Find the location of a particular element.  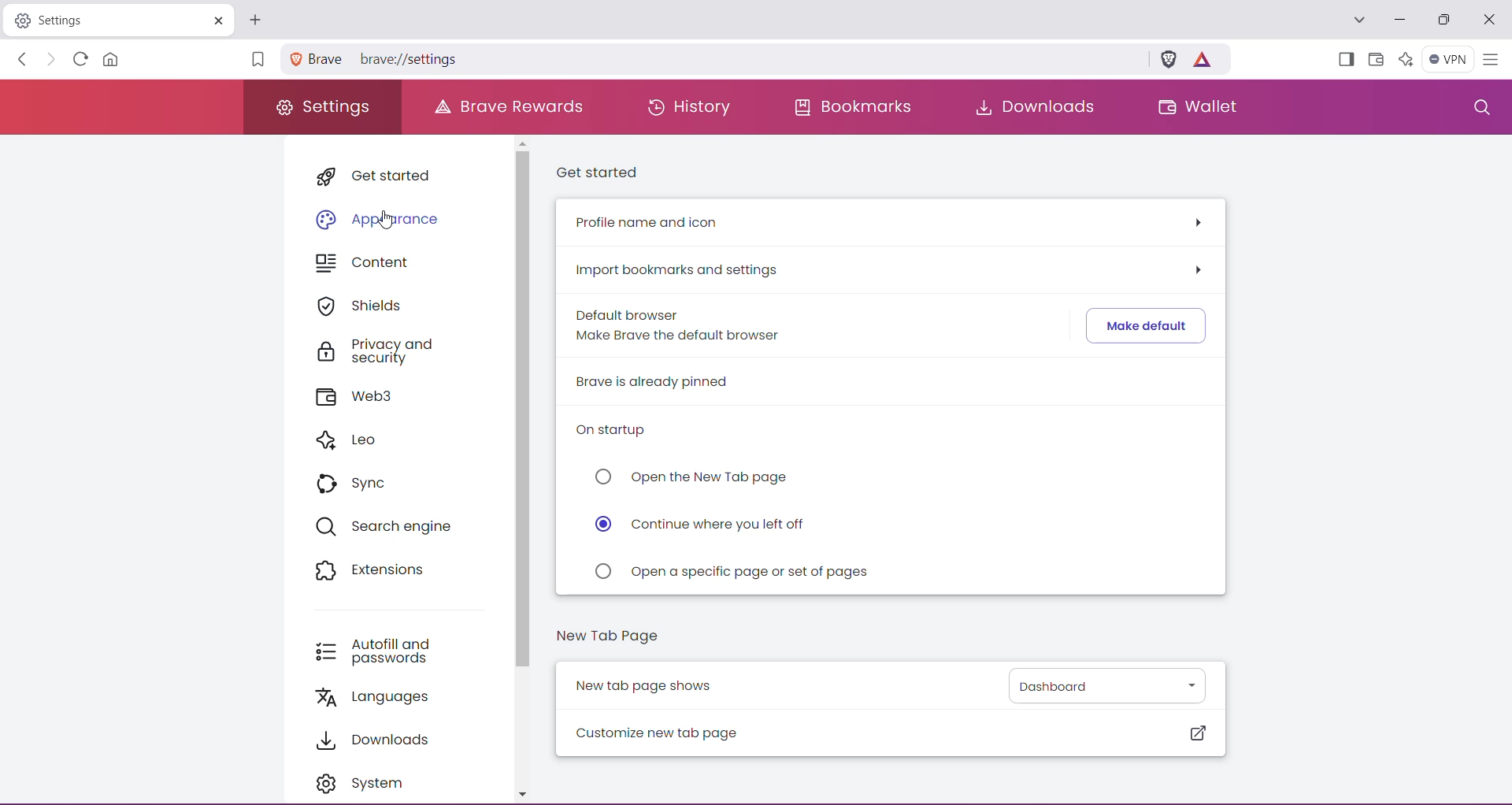

Downloads is located at coordinates (1030, 106).